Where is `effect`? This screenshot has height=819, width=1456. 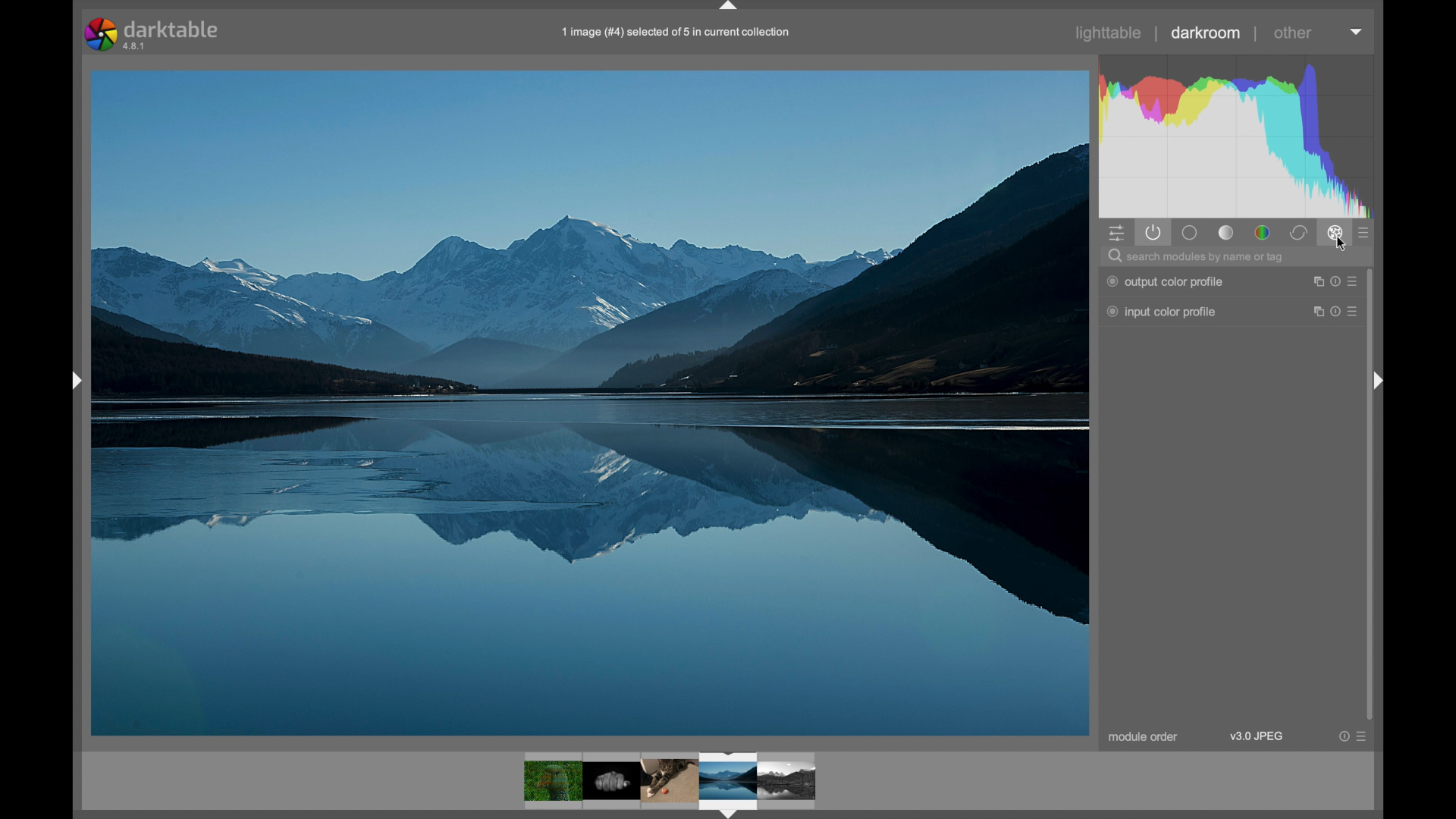
effect is located at coordinates (1335, 234).